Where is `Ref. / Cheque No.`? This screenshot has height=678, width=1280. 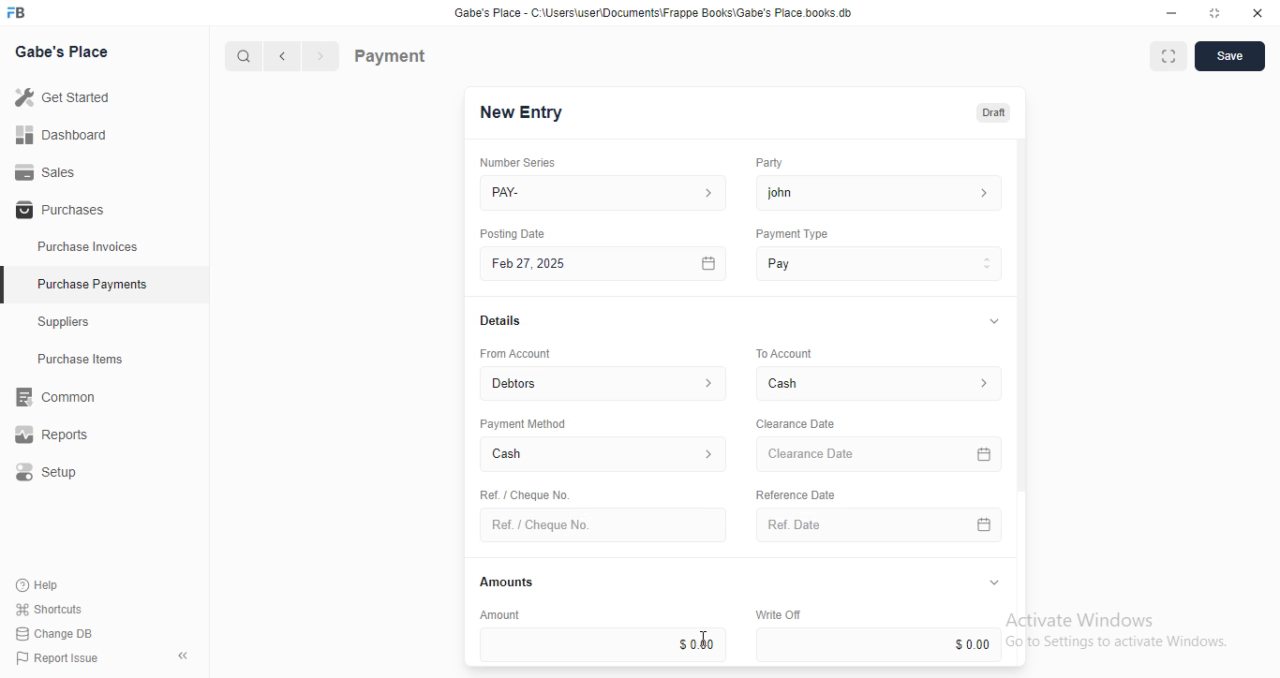 Ref. / Cheque No. is located at coordinates (602, 525).